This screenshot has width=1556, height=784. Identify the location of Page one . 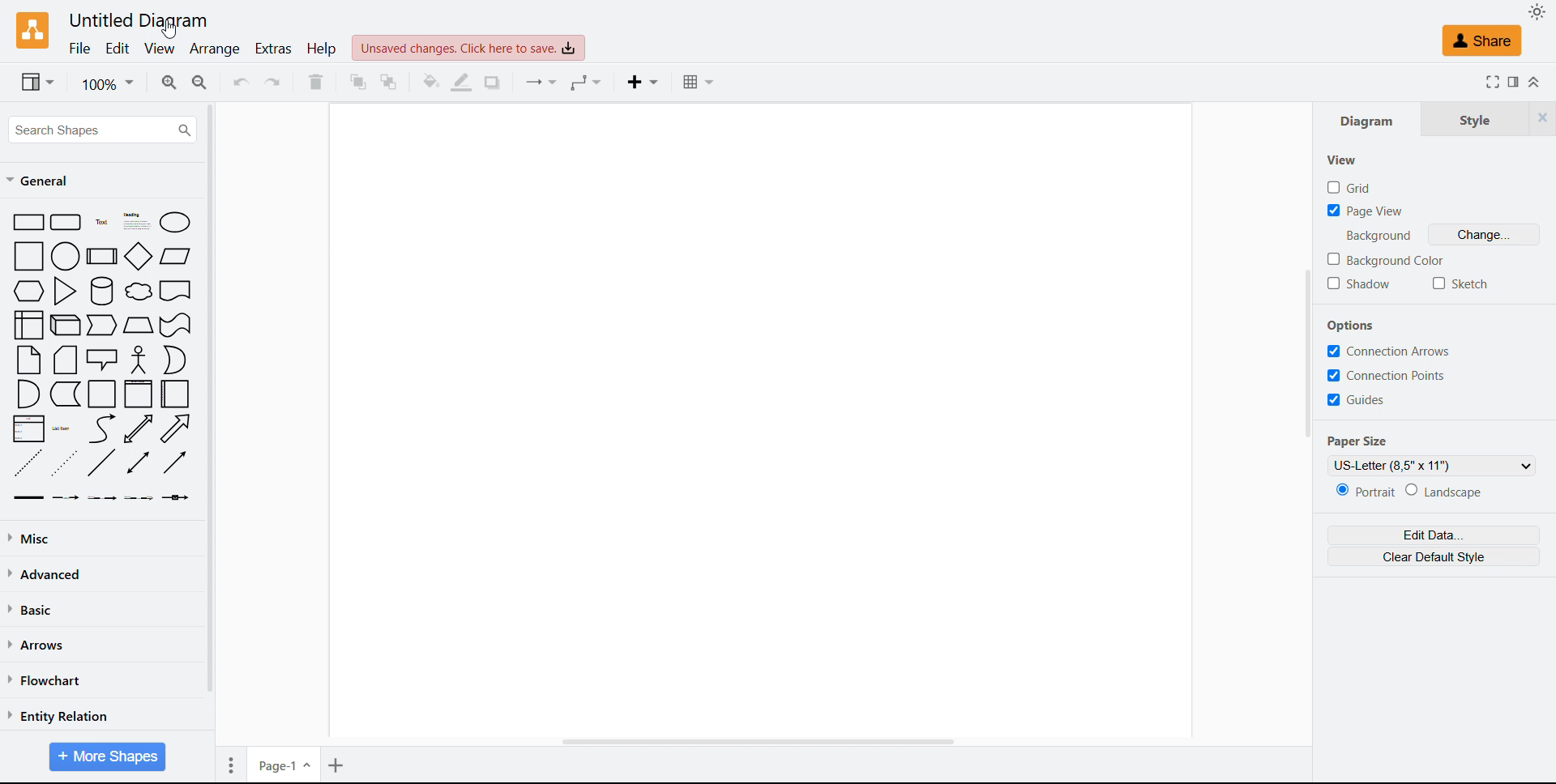
(284, 764).